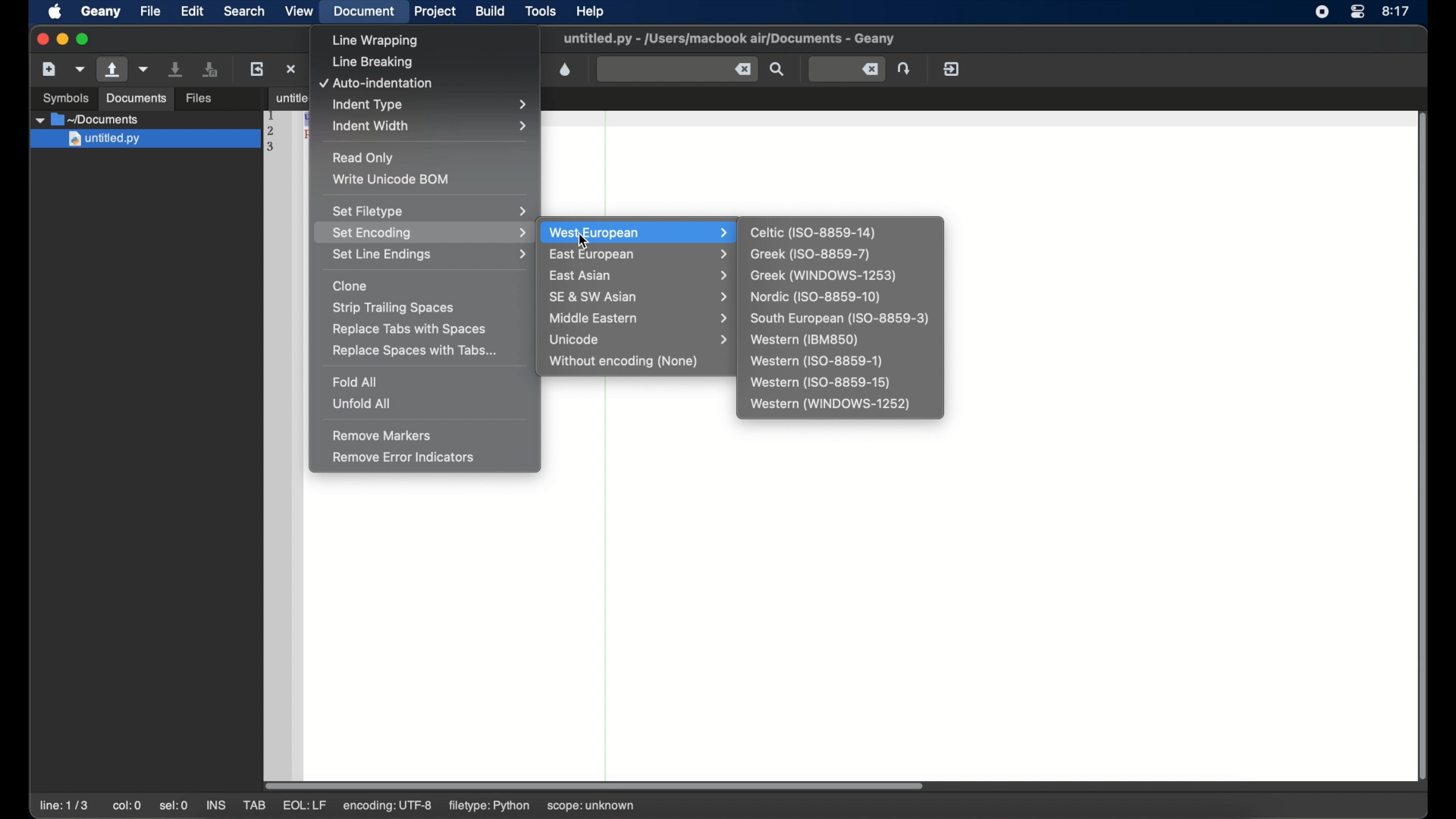 Image resolution: width=1456 pixels, height=819 pixels. What do you see at coordinates (150, 11) in the screenshot?
I see `file` at bounding box center [150, 11].